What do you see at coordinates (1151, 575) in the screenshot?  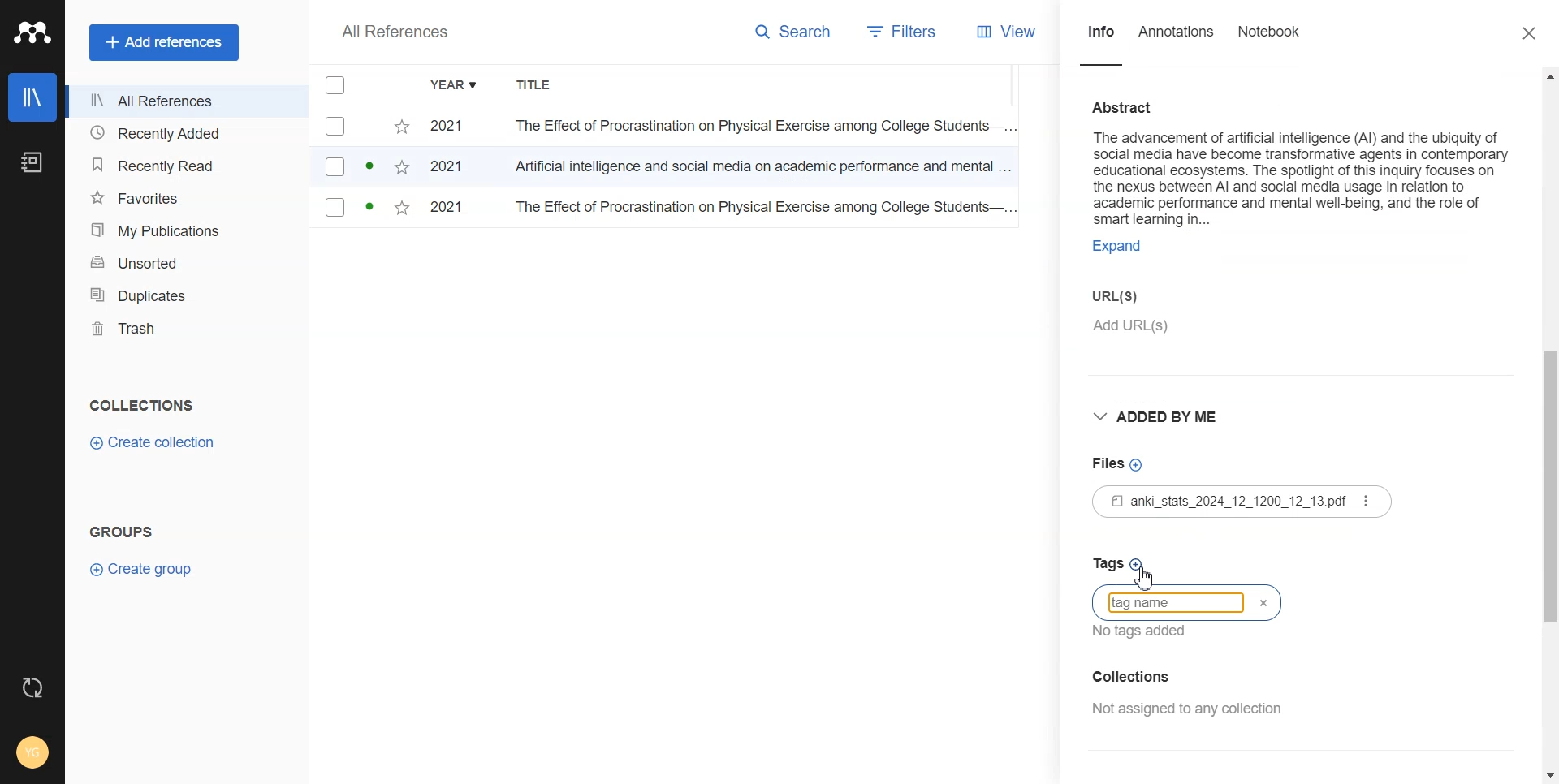 I see `Cursor` at bounding box center [1151, 575].